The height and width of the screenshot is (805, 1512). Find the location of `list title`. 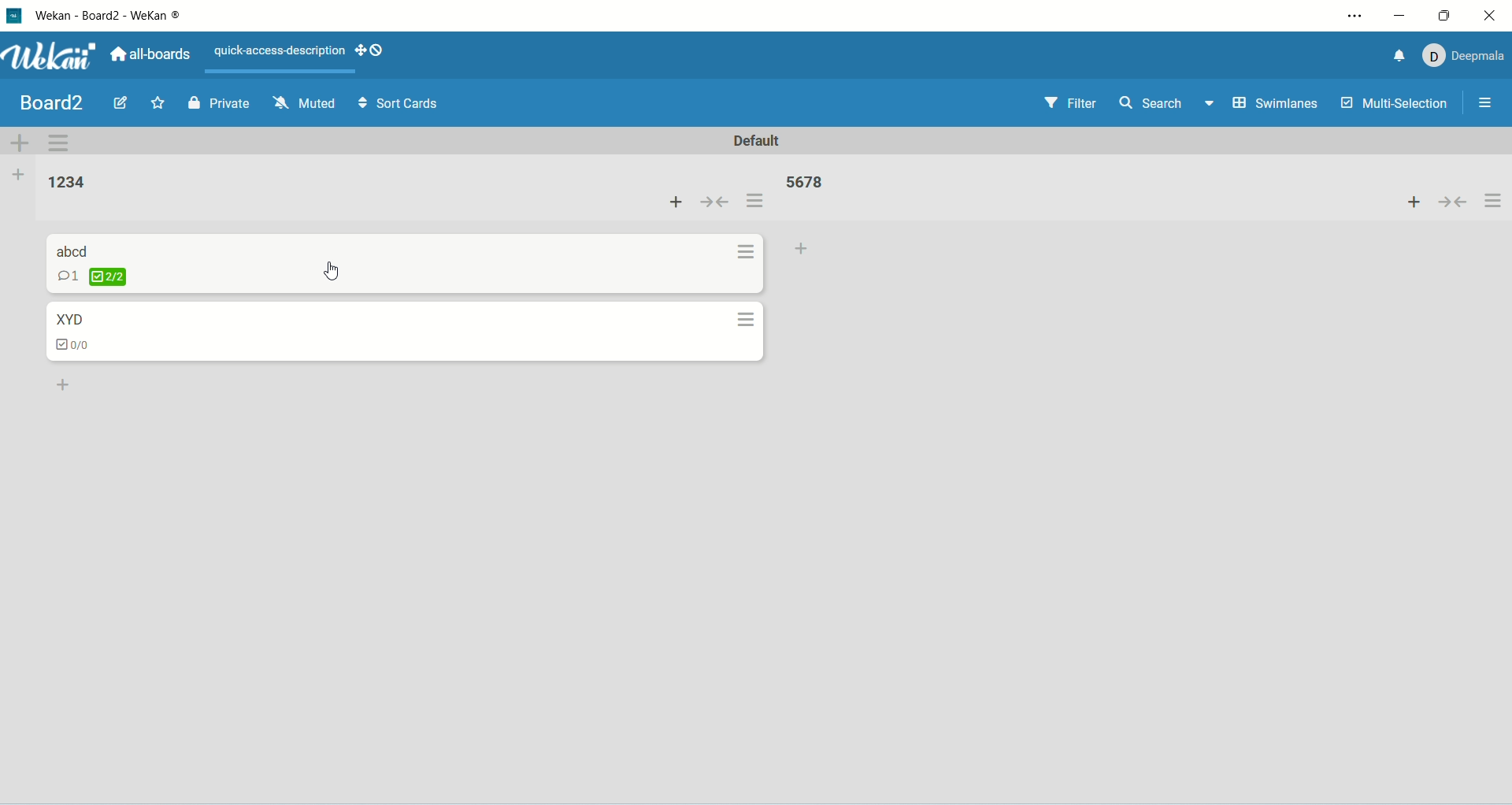

list title is located at coordinates (806, 184).